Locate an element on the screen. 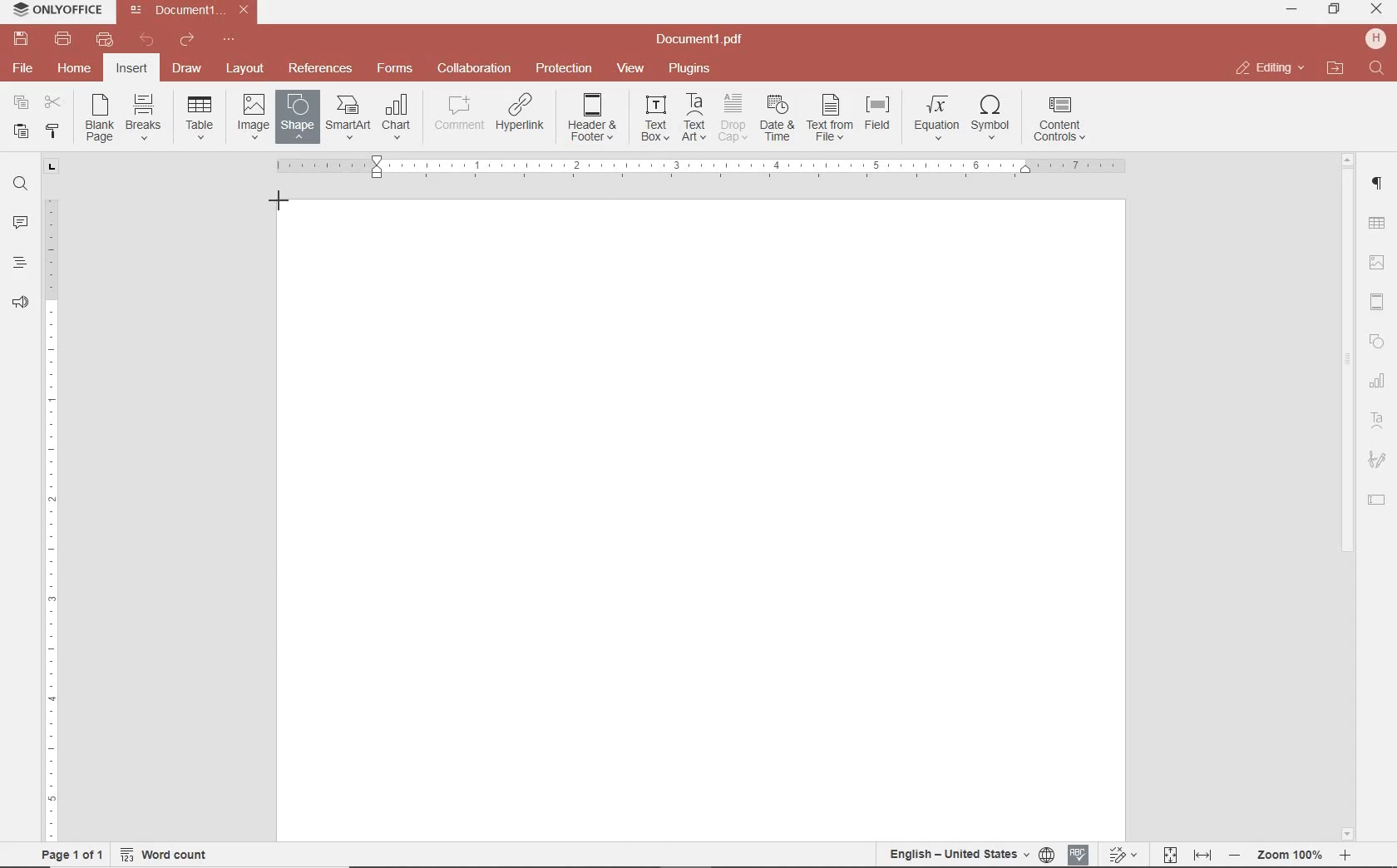  comments is located at coordinates (20, 224).